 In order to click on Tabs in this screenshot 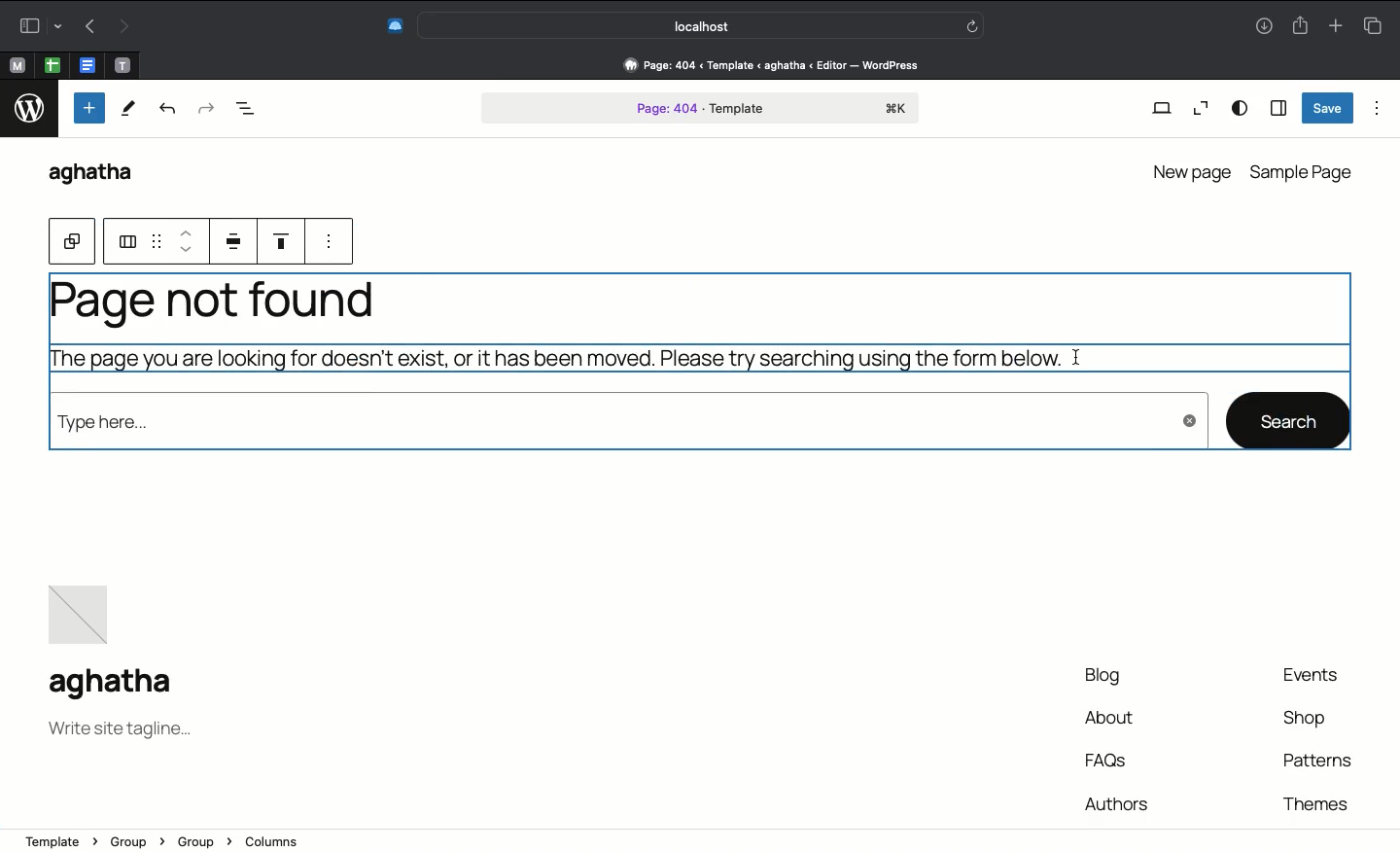, I will do `click(1378, 23)`.